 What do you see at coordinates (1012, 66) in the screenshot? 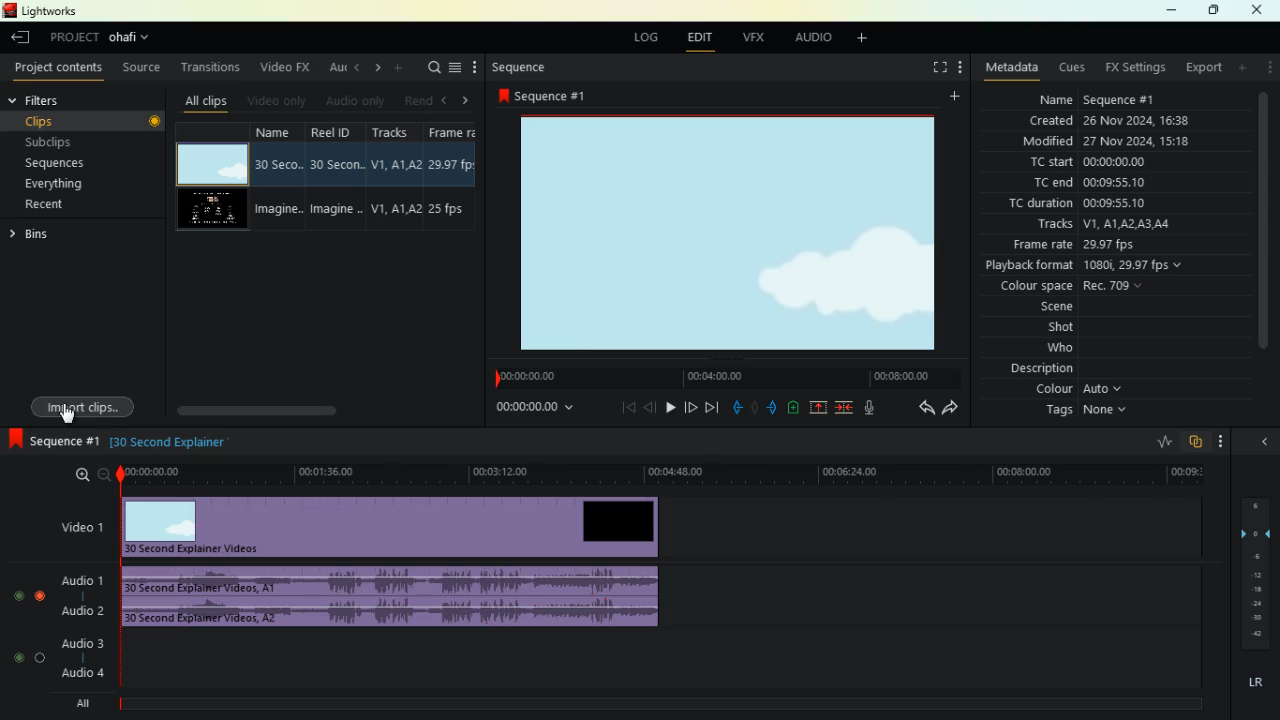
I see `metadata` at bounding box center [1012, 66].